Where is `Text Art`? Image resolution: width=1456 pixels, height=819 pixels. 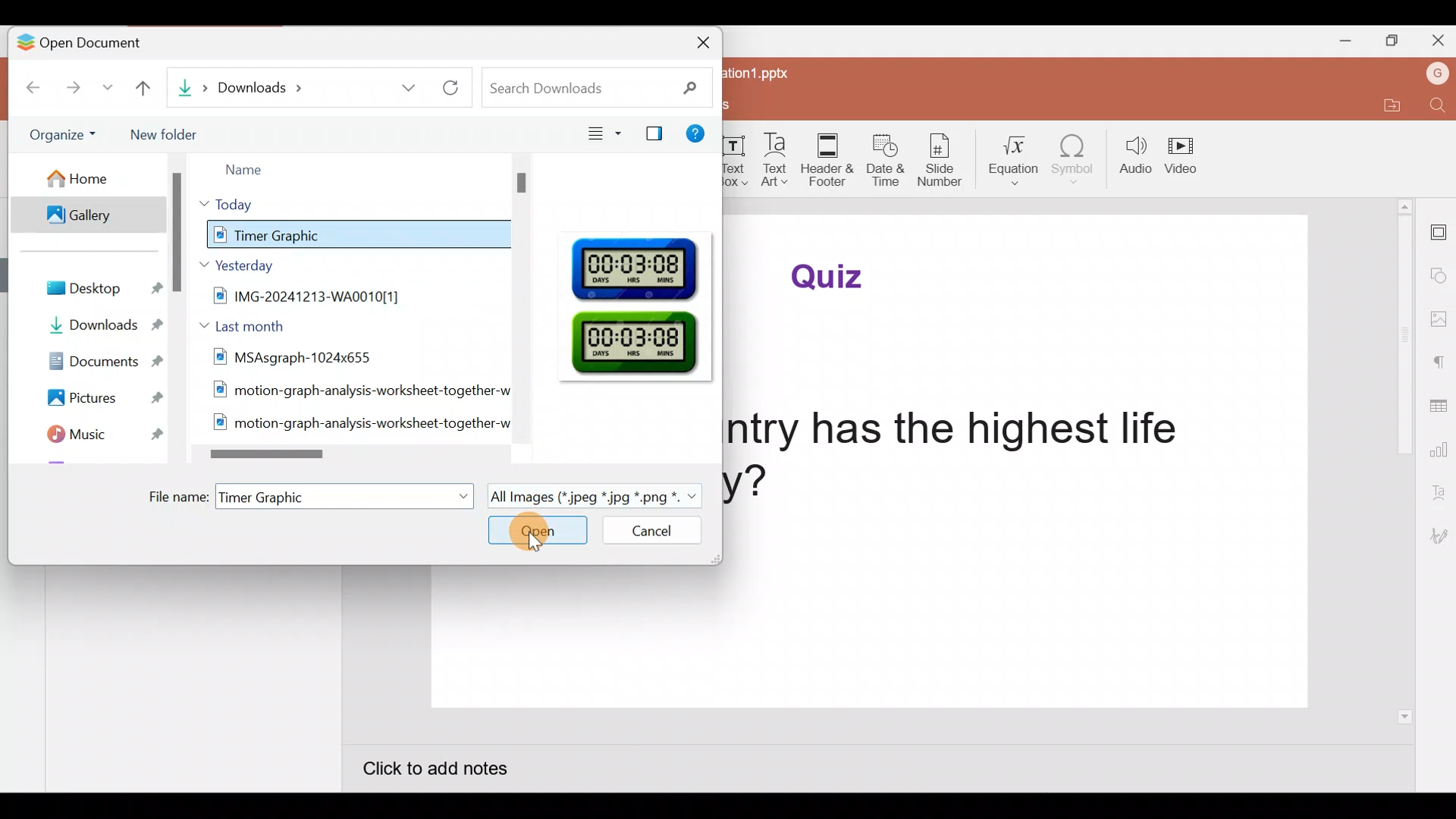 Text Art is located at coordinates (777, 162).